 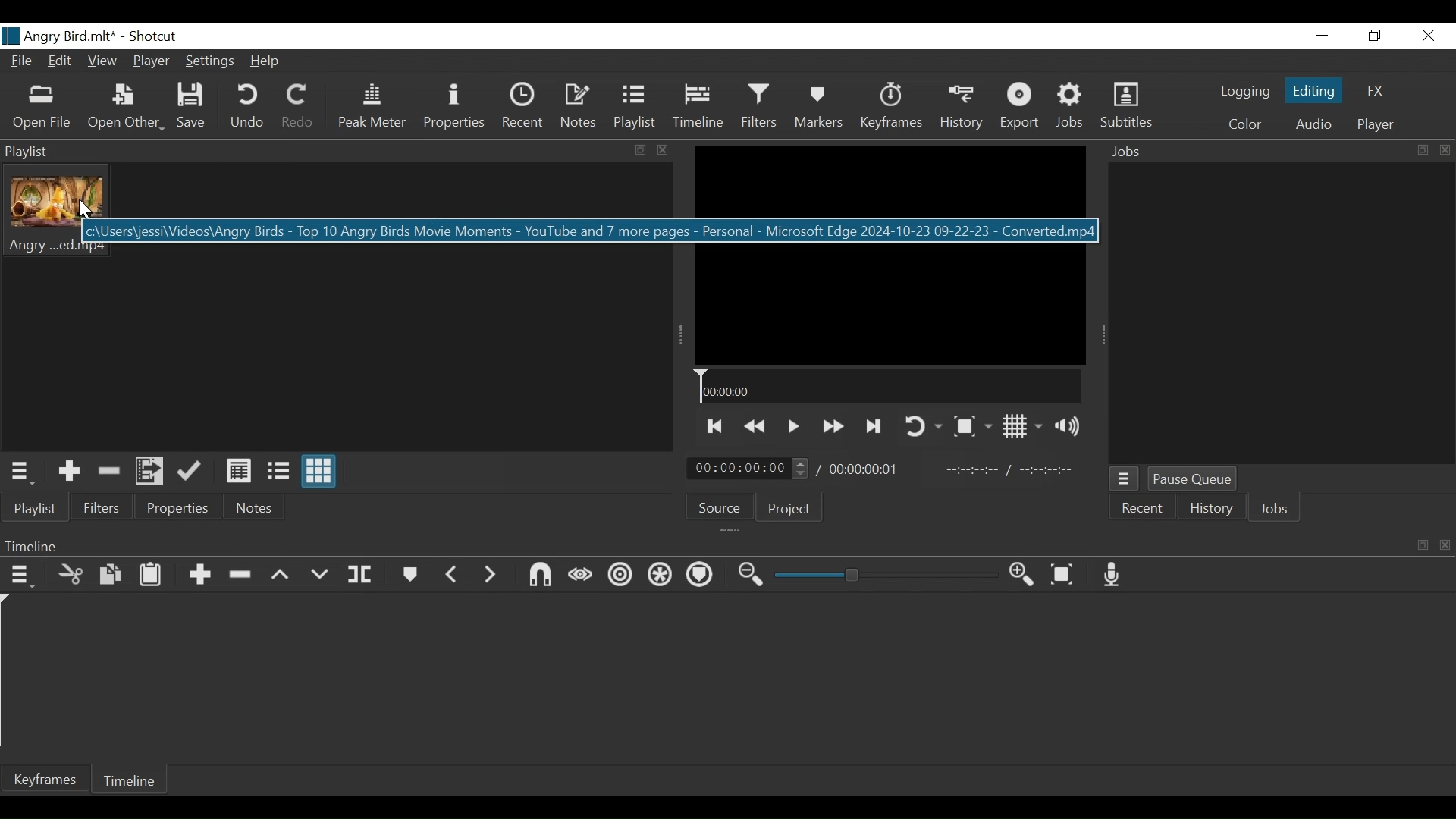 I want to click on Shotcut, so click(x=158, y=36).